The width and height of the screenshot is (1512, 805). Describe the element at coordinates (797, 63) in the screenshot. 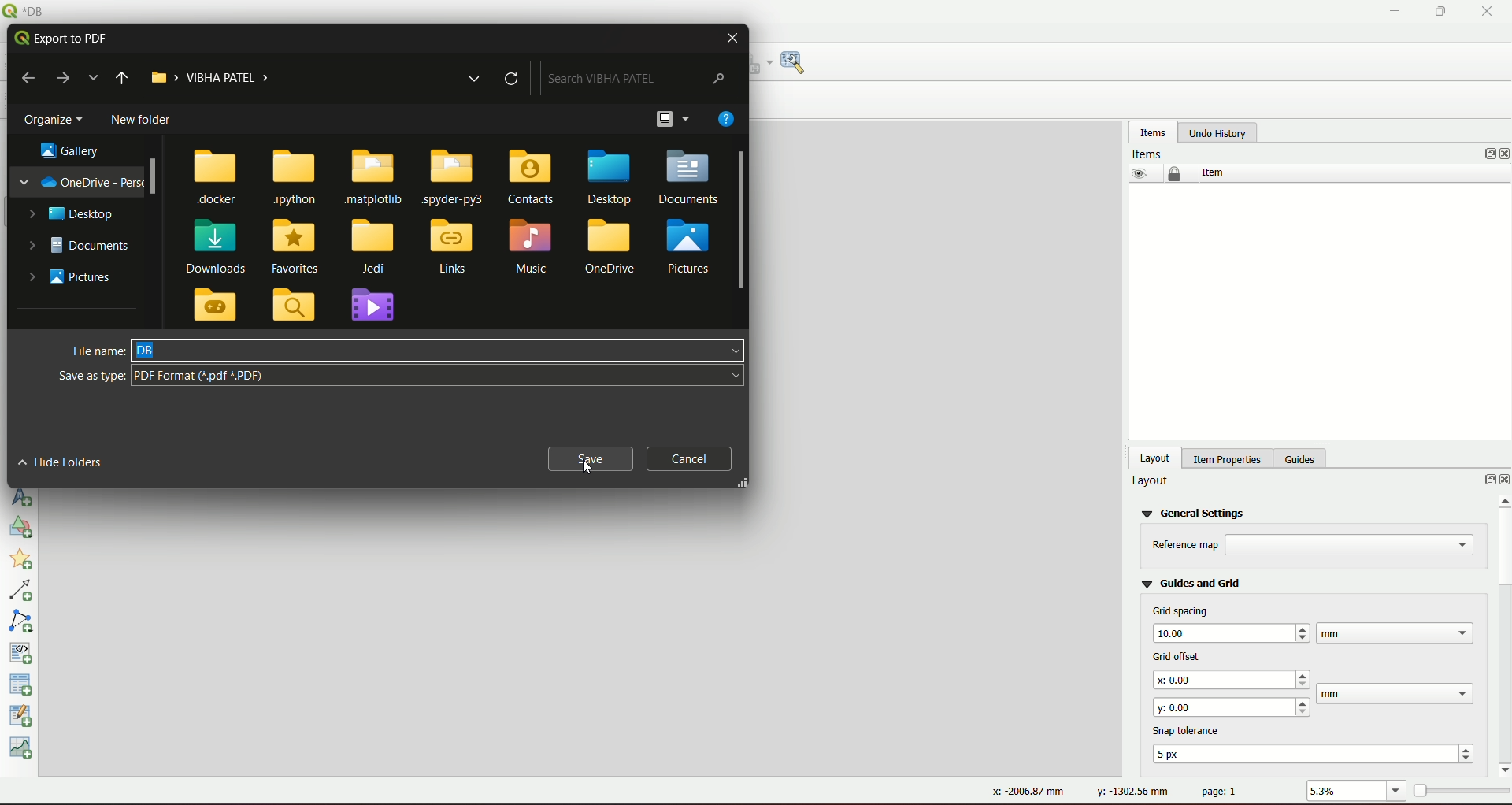

I see `image settings` at that location.